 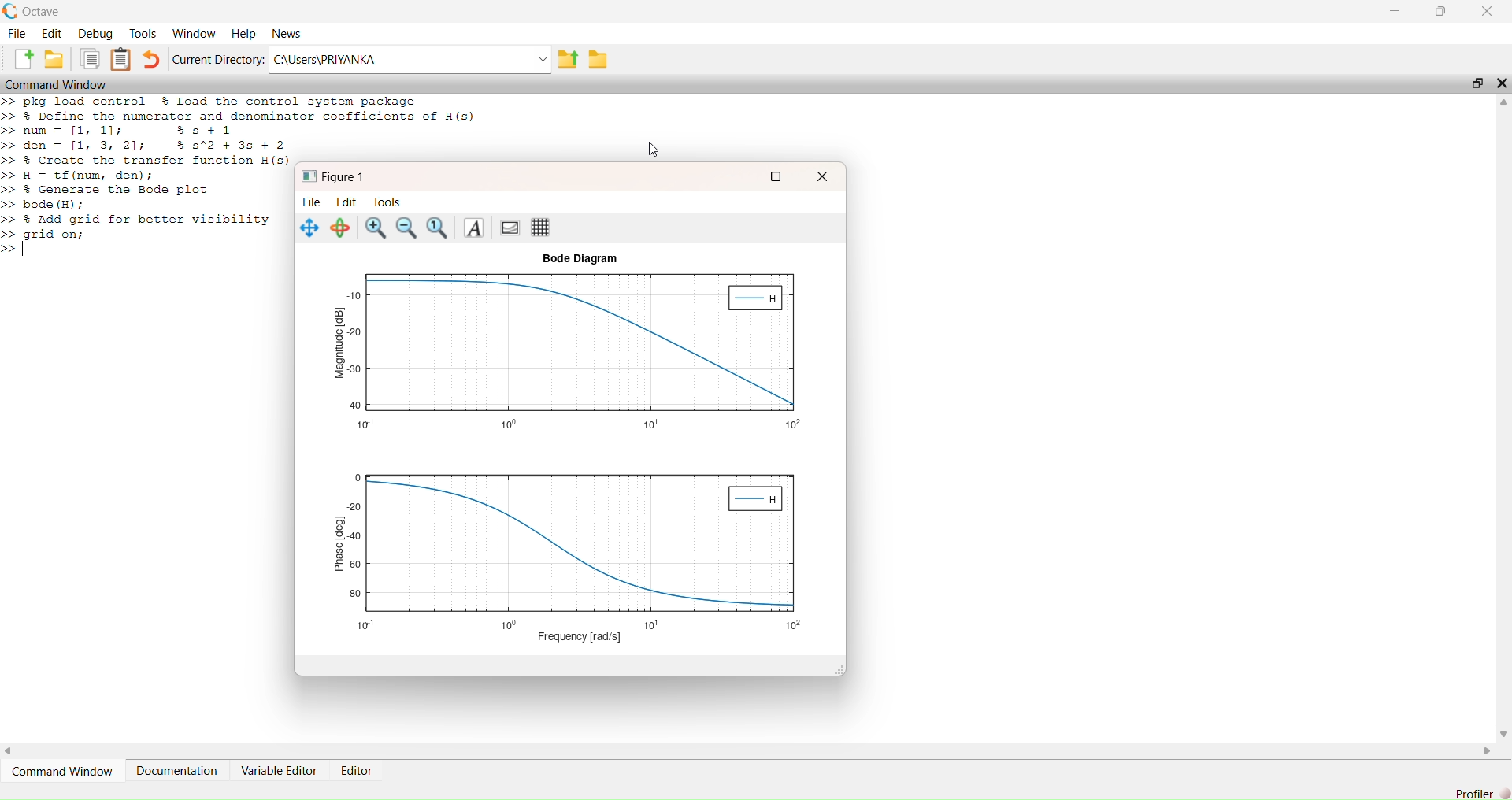 What do you see at coordinates (1503, 83) in the screenshot?
I see `close` at bounding box center [1503, 83].